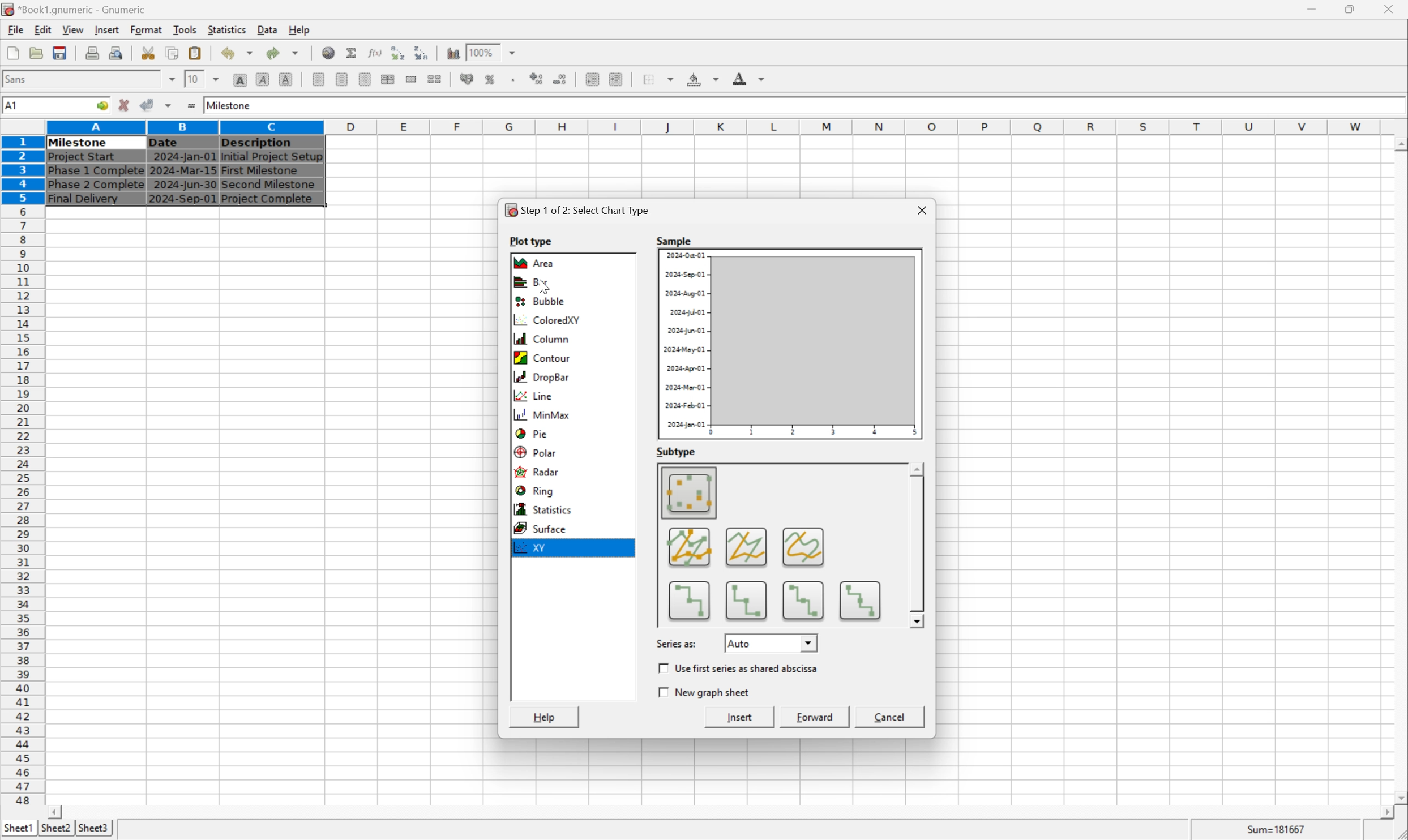 The height and width of the screenshot is (840, 1408). What do you see at coordinates (395, 53) in the screenshot?
I see `Sort the selected region in increasing order based on the first column selected` at bounding box center [395, 53].